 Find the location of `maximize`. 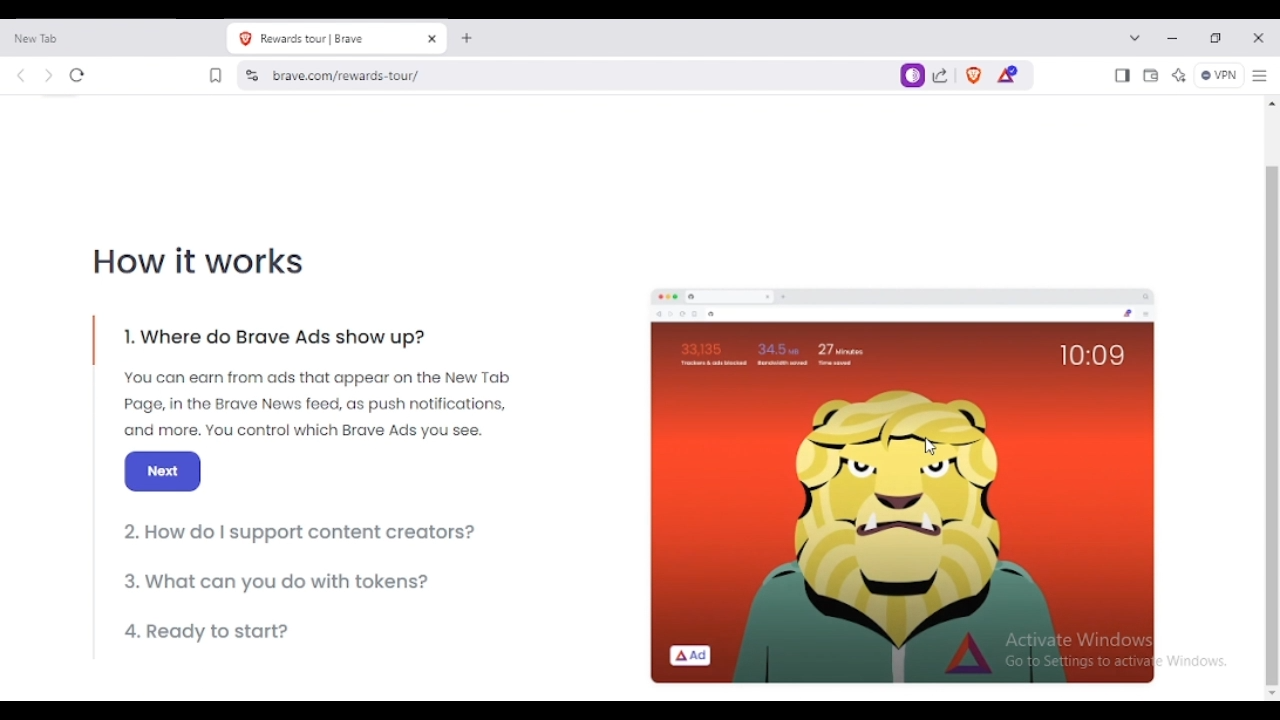

maximize is located at coordinates (1216, 39).